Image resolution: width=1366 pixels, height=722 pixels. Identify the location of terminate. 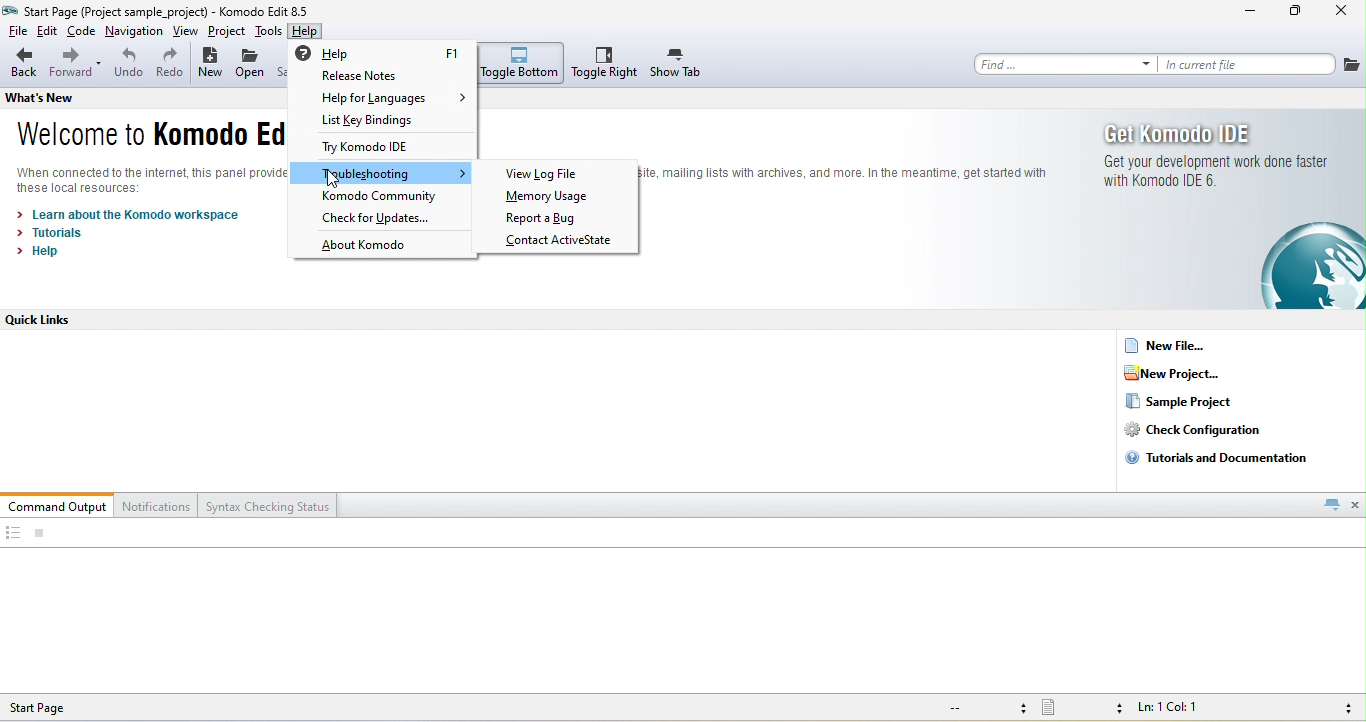
(40, 534).